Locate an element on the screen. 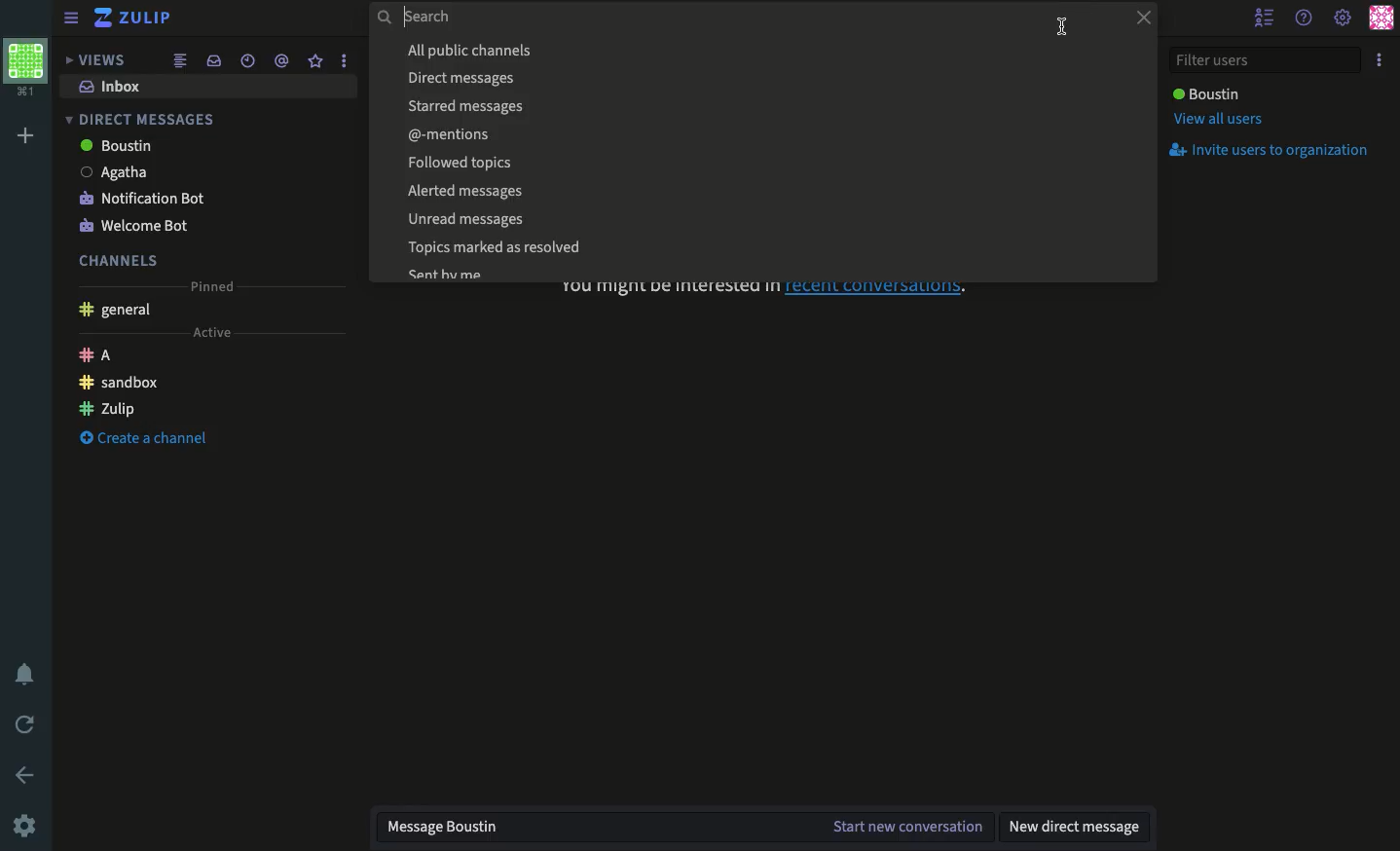 The image size is (1400, 851). Direct messages is located at coordinates (142, 121).